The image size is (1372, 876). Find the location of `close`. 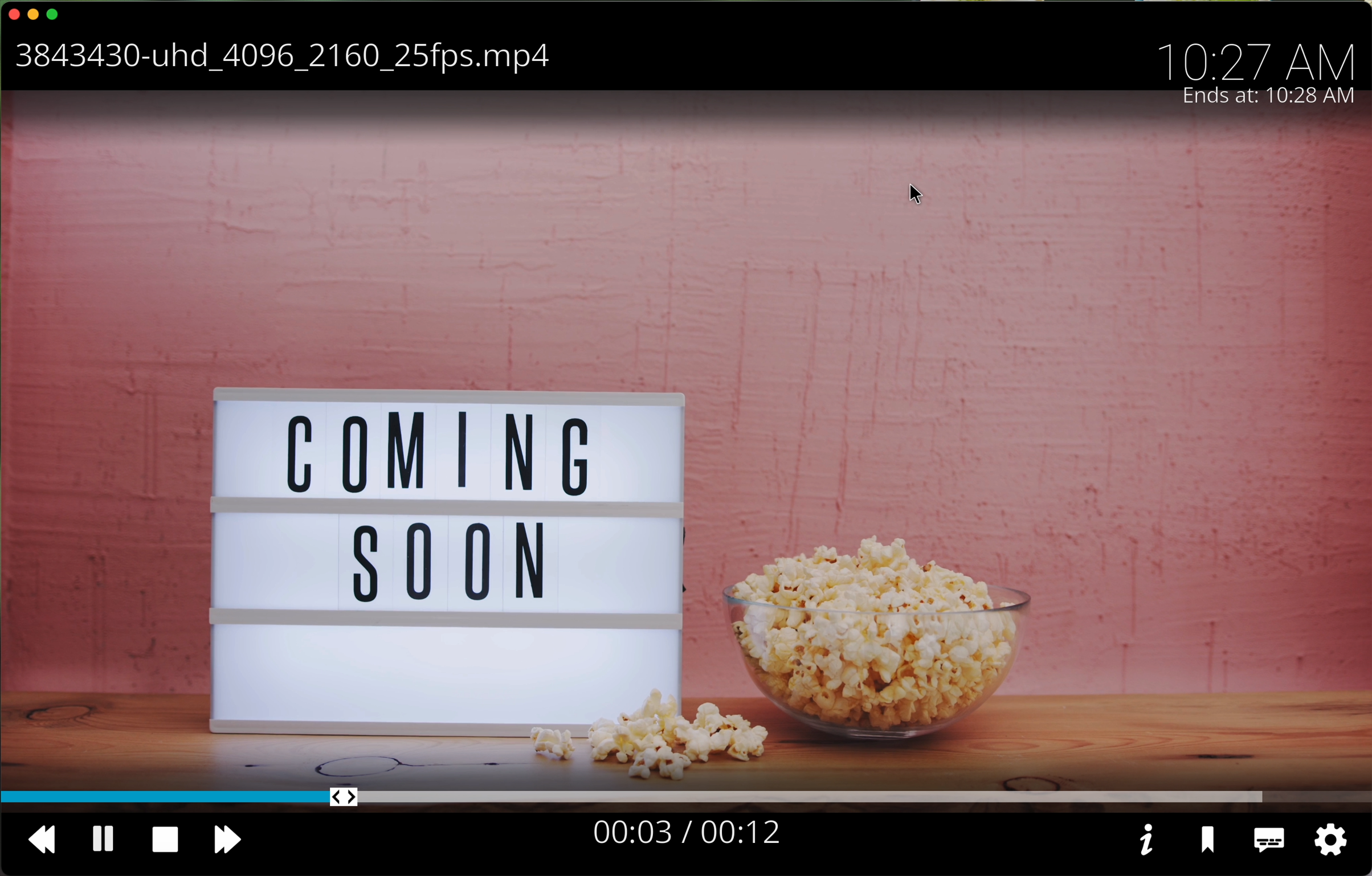

close is located at coordinates (13, 11).